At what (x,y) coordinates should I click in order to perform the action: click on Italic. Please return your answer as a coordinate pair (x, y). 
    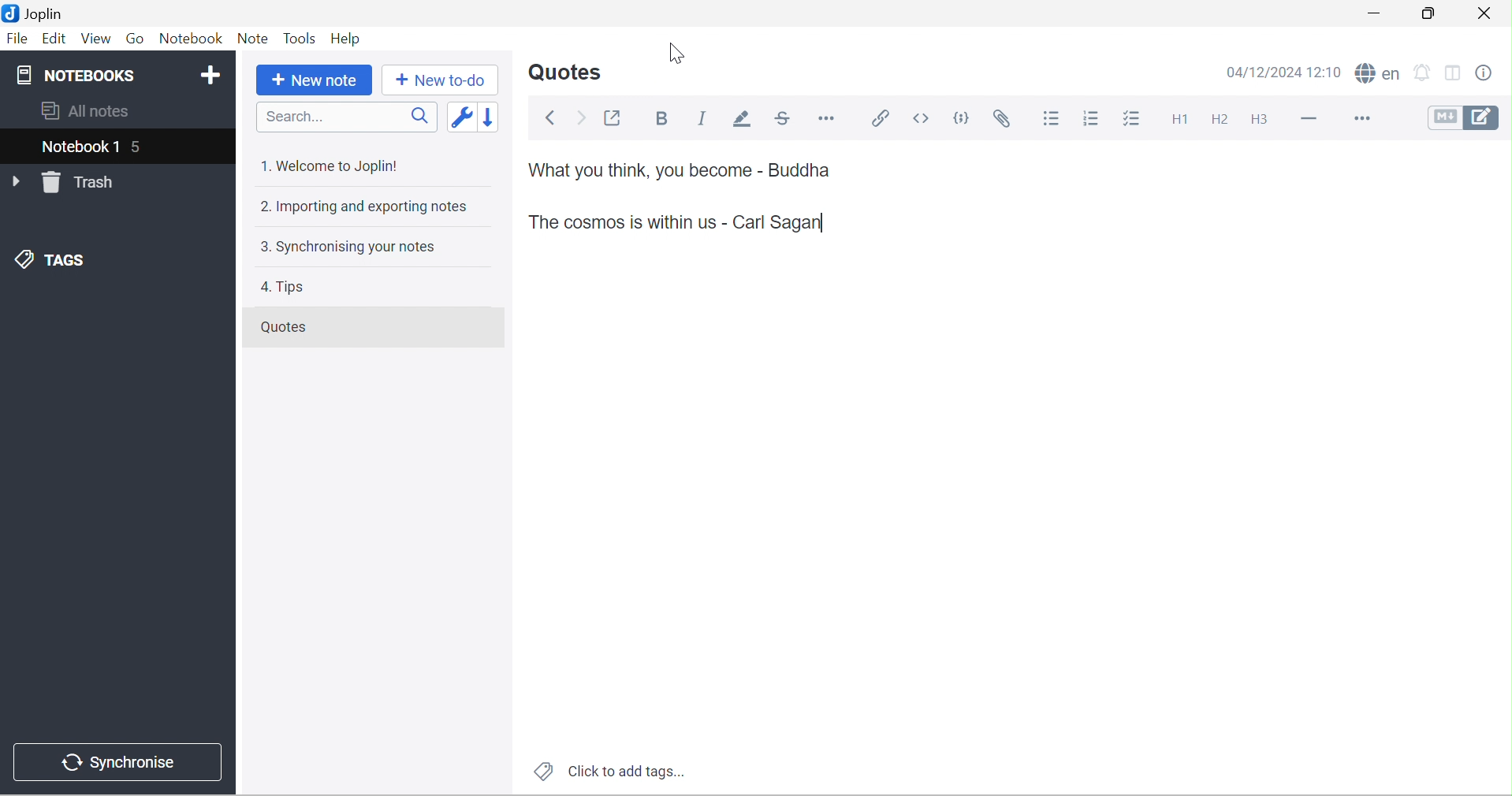
    Looking at the image, I should click on (707, 118).